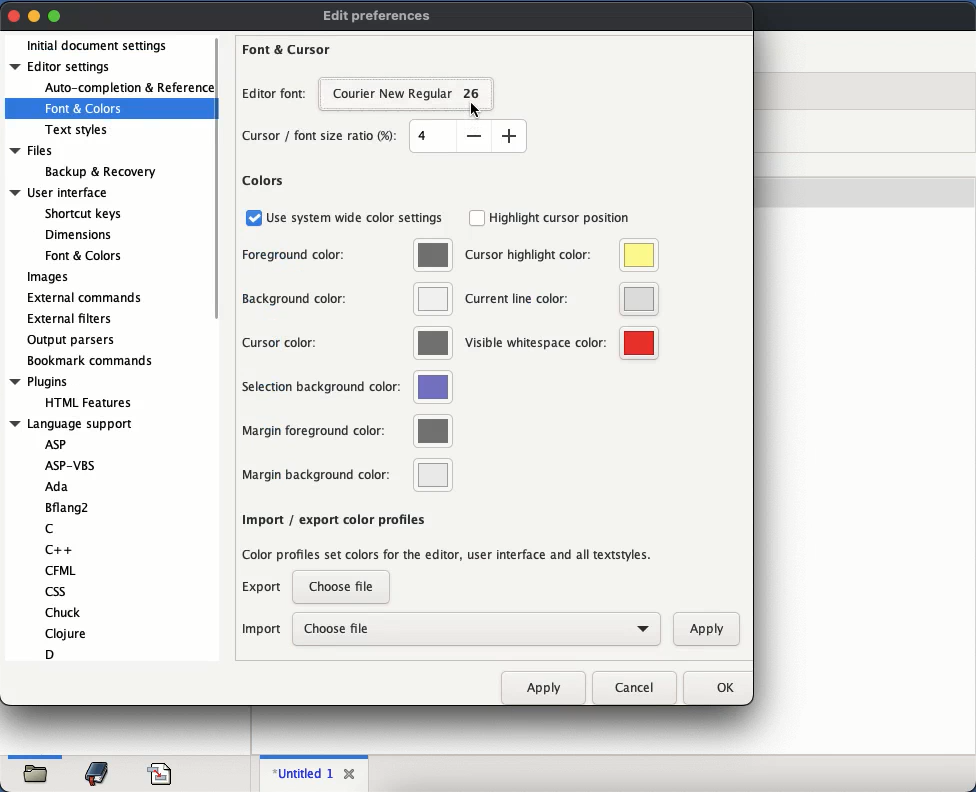 The image size is (976, 792). I want to click on color, so click(434, 475).